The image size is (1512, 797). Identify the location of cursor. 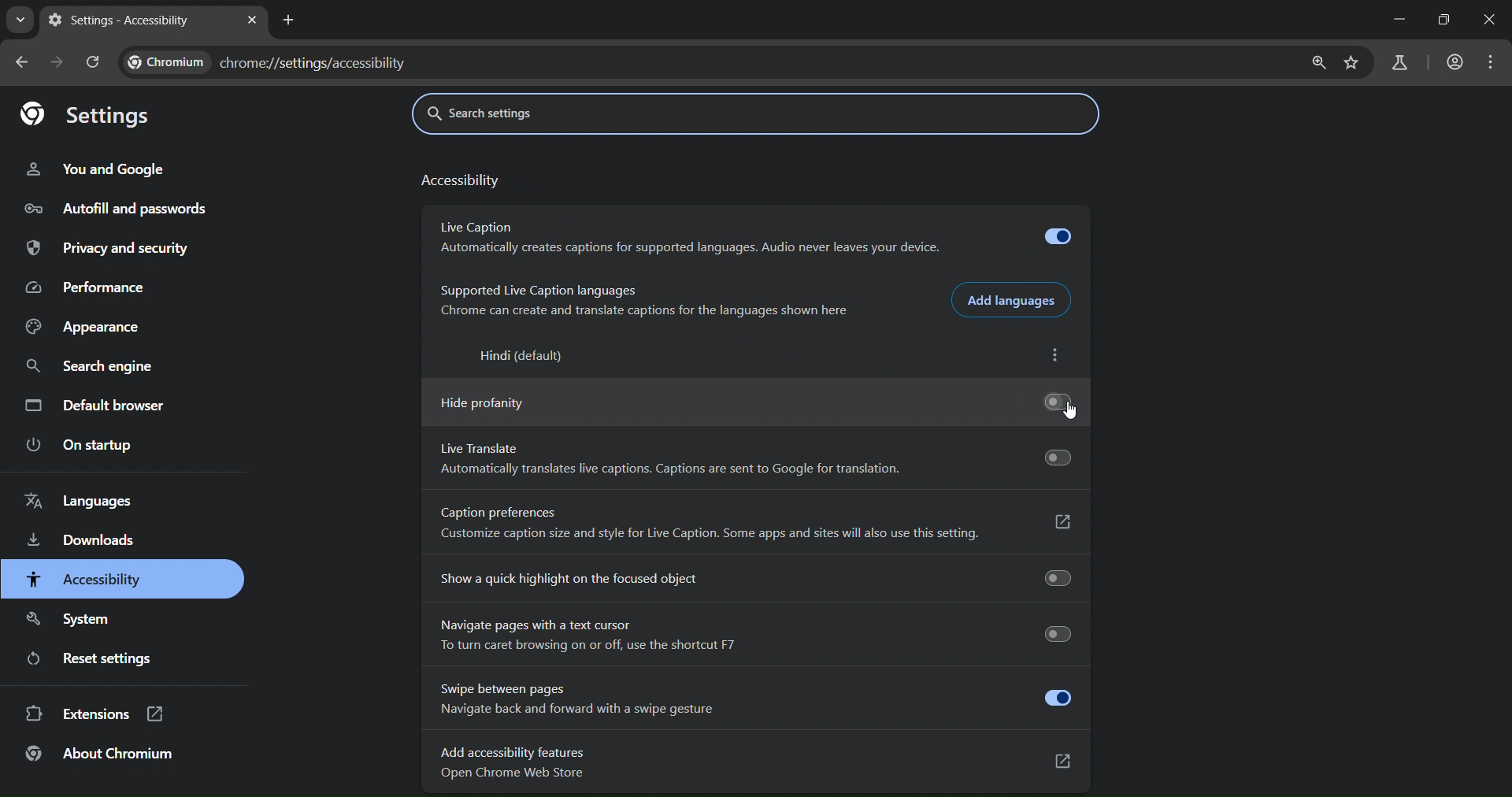
(1073, 413).